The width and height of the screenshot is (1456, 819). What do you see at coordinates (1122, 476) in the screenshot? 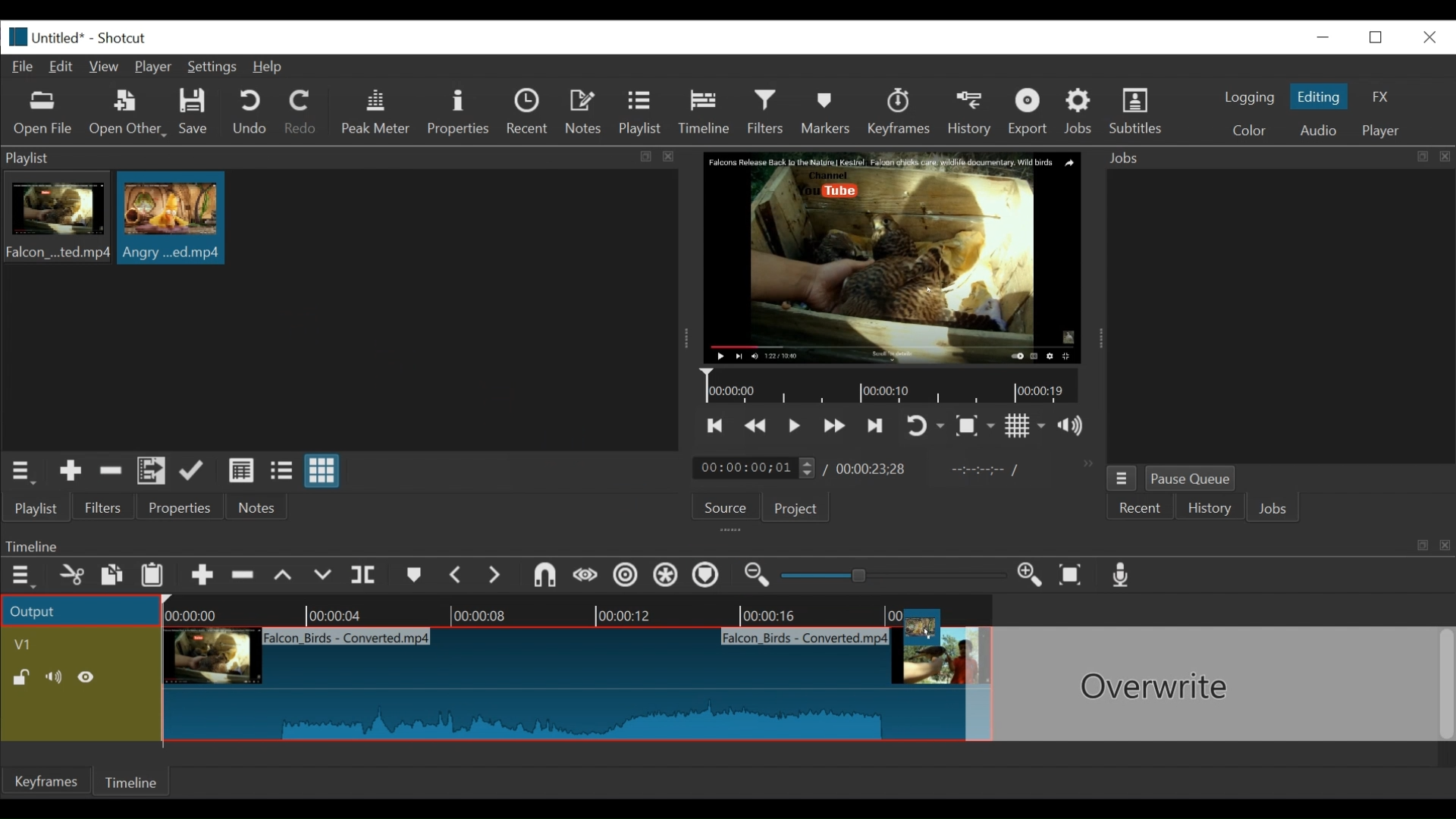
I see `jobs menu` at bounding box center [1122, 476].